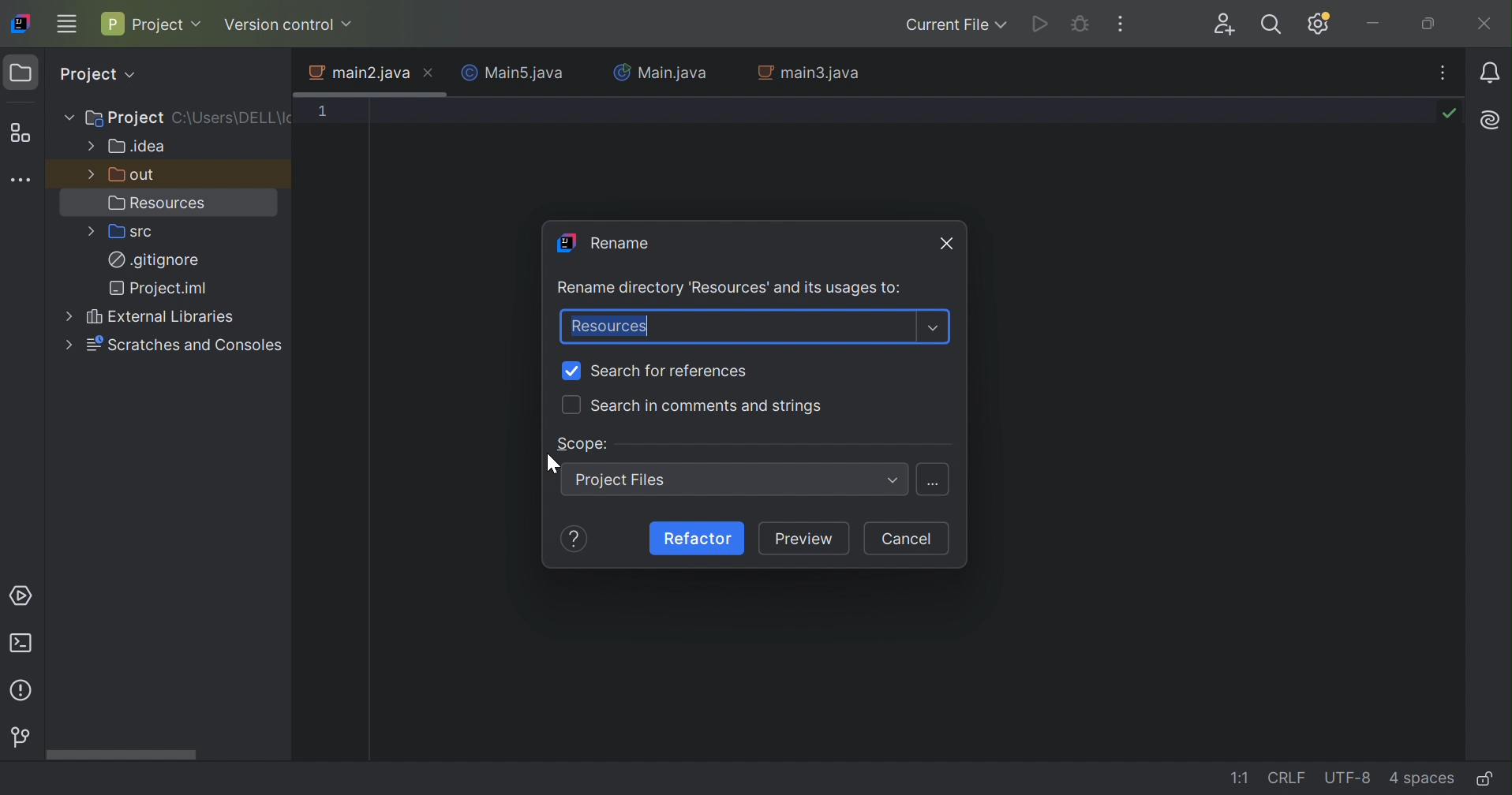 The height and width of the screenshot is (795, 1512). Describe the element at coordinates (807, 540) in the screenshot. I see `Preview` at that location.